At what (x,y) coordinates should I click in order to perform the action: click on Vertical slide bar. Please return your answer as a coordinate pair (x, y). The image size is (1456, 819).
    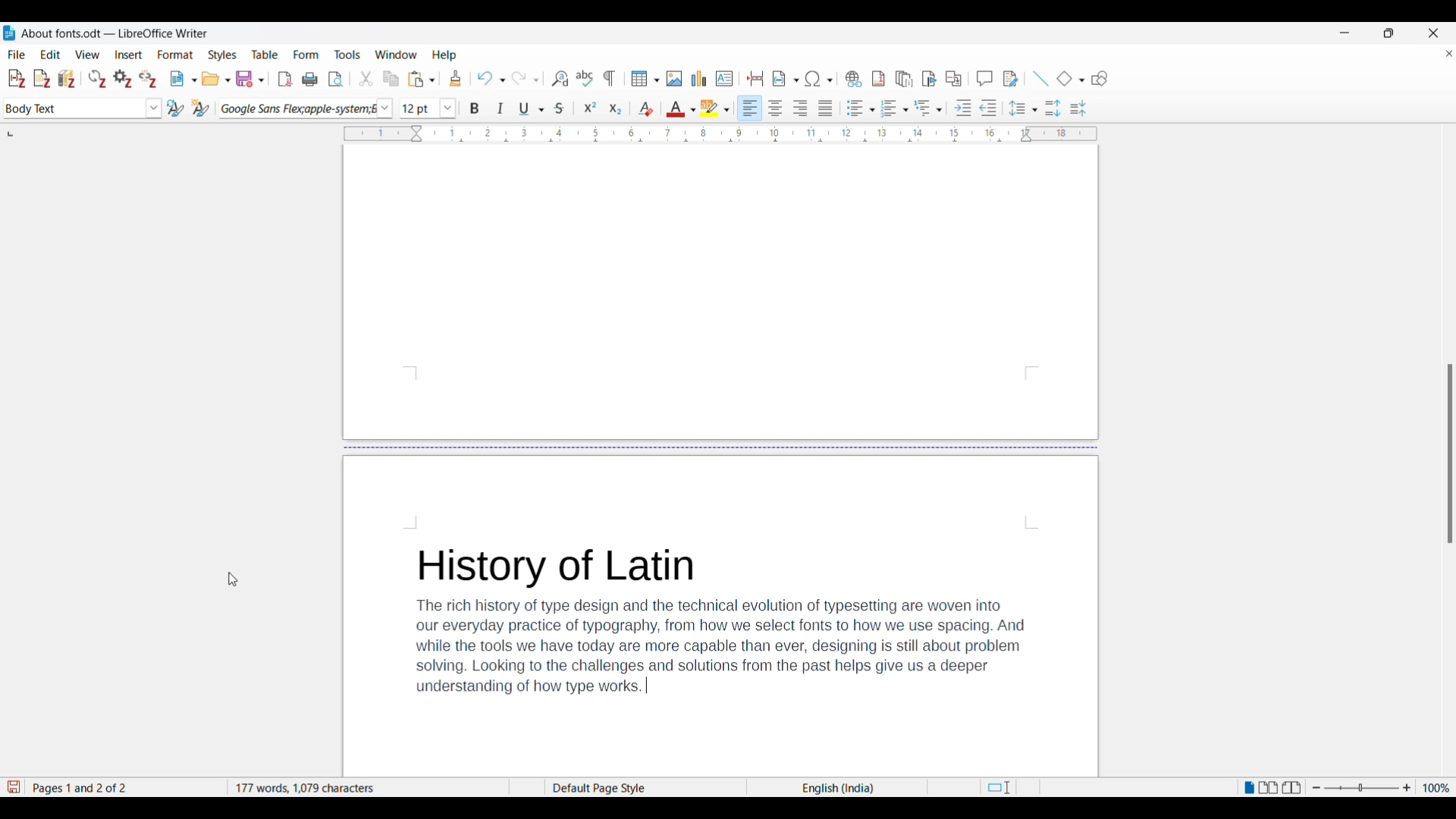
    Looking at the image, I should click on (1450, 454).